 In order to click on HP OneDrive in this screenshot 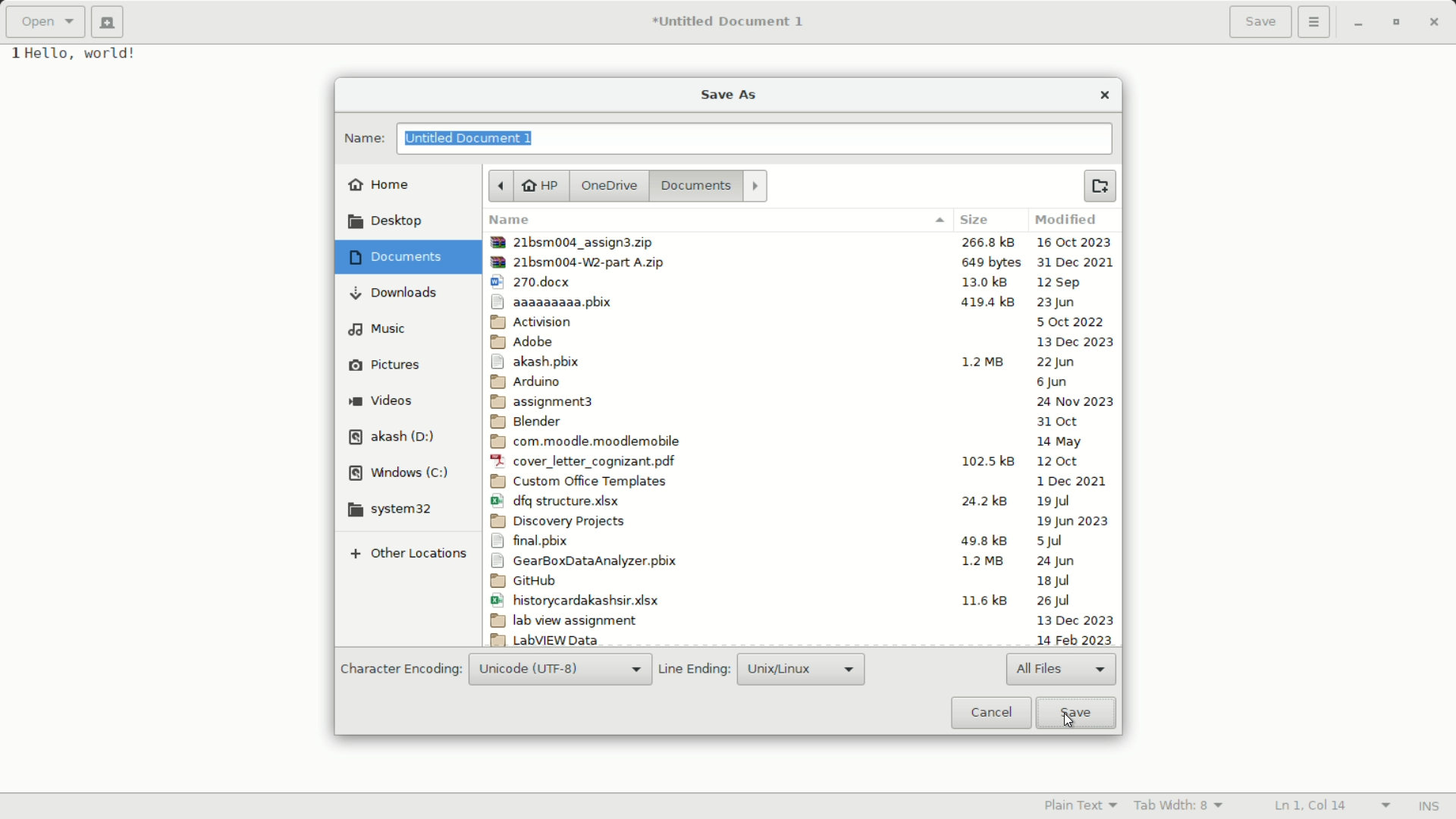, I will do `click(579, 186)`.